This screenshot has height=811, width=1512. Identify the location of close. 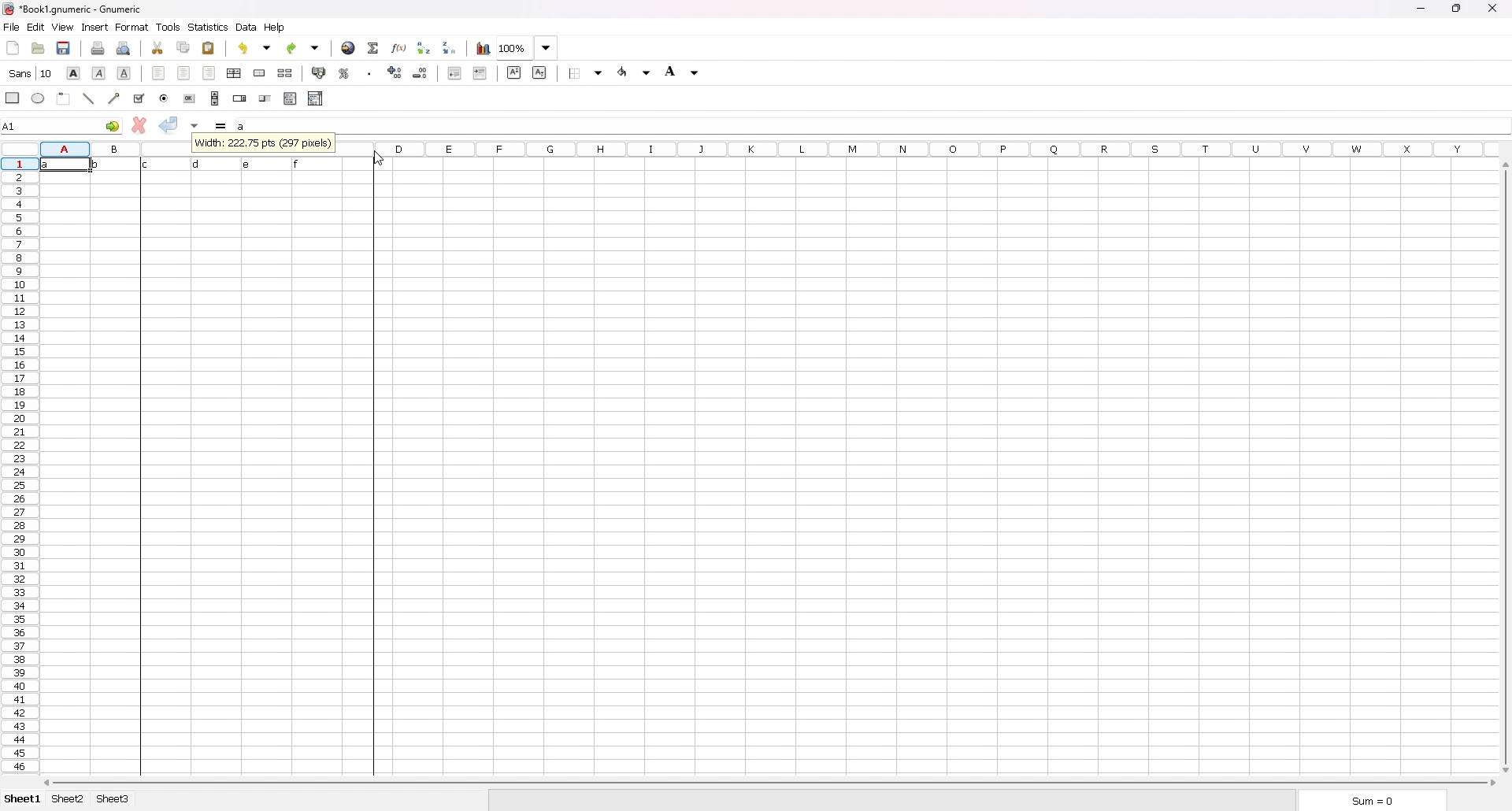
(1492, 8).